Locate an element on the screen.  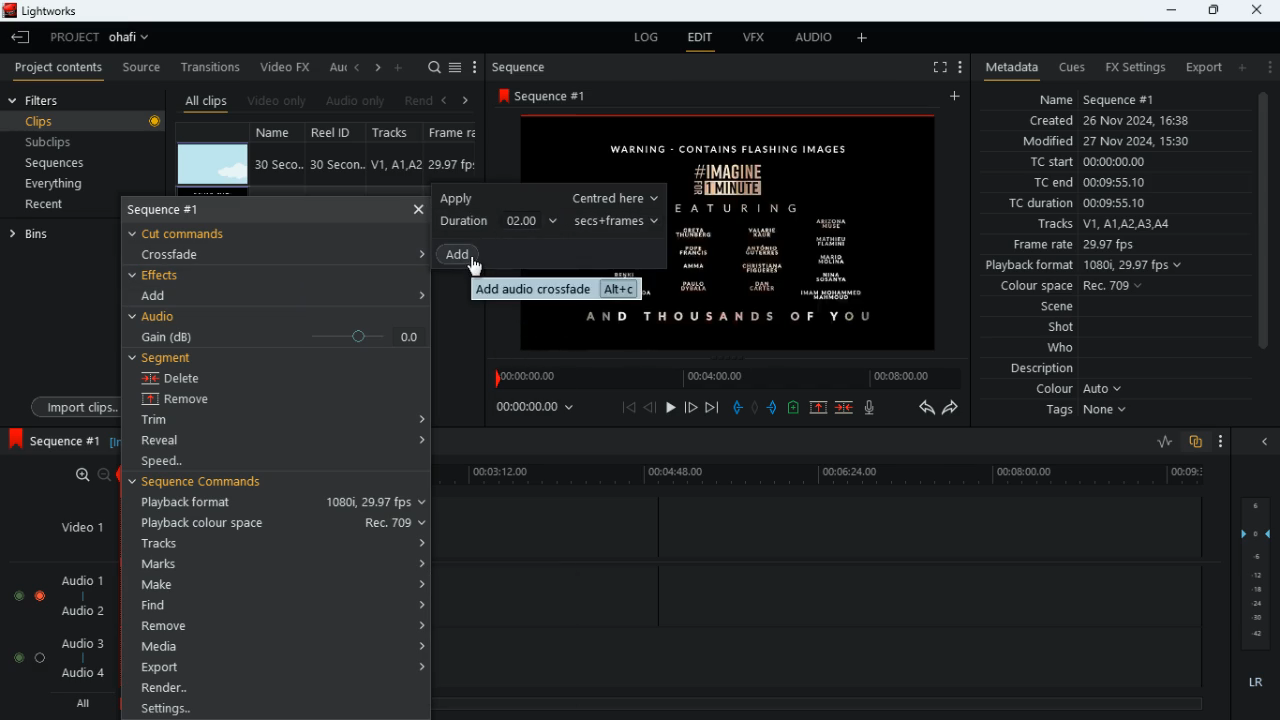
audio 3 is located at coordinates (78, 642).